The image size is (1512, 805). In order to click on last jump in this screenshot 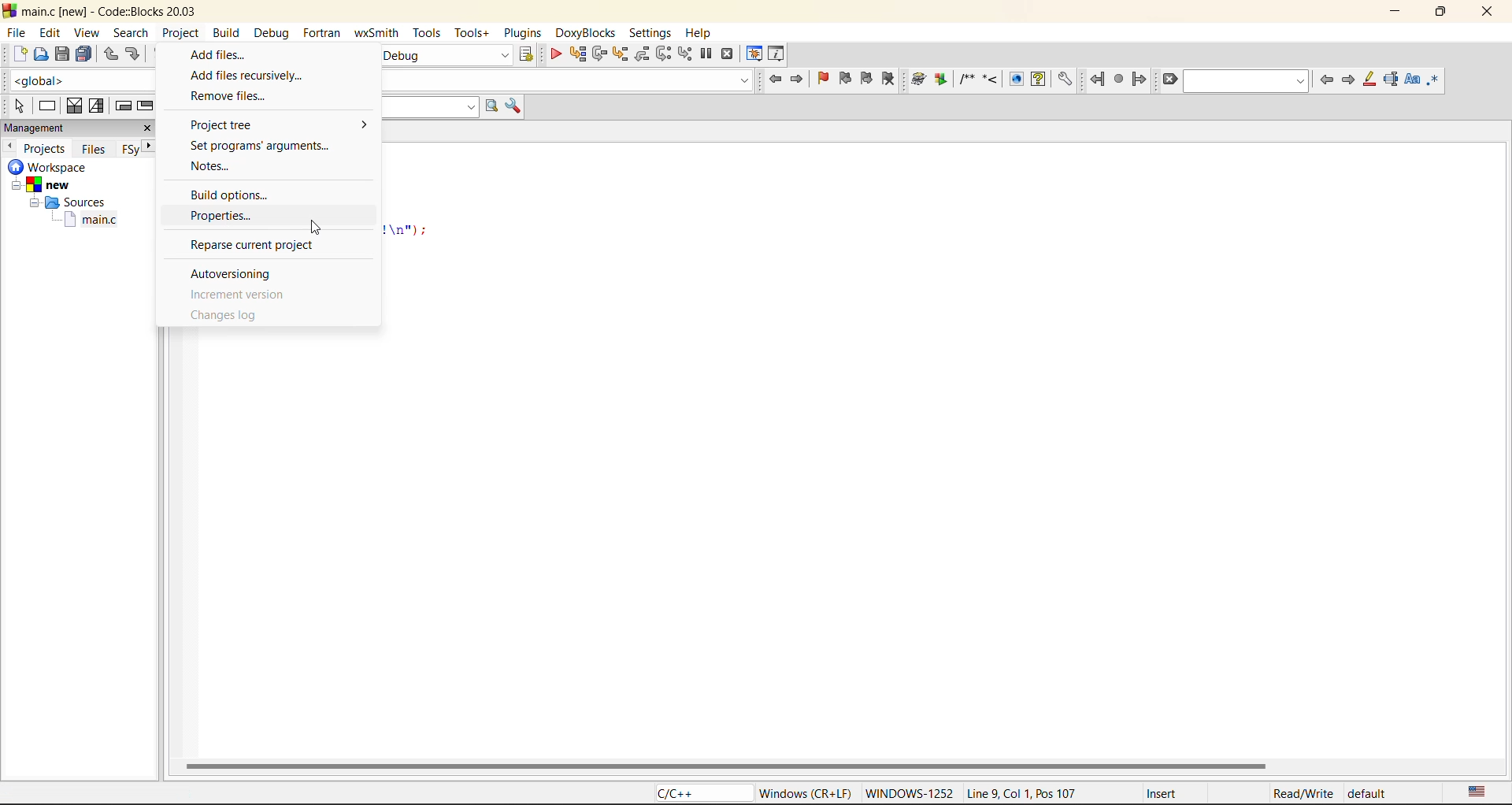, I will do `click(1117, 80)`.